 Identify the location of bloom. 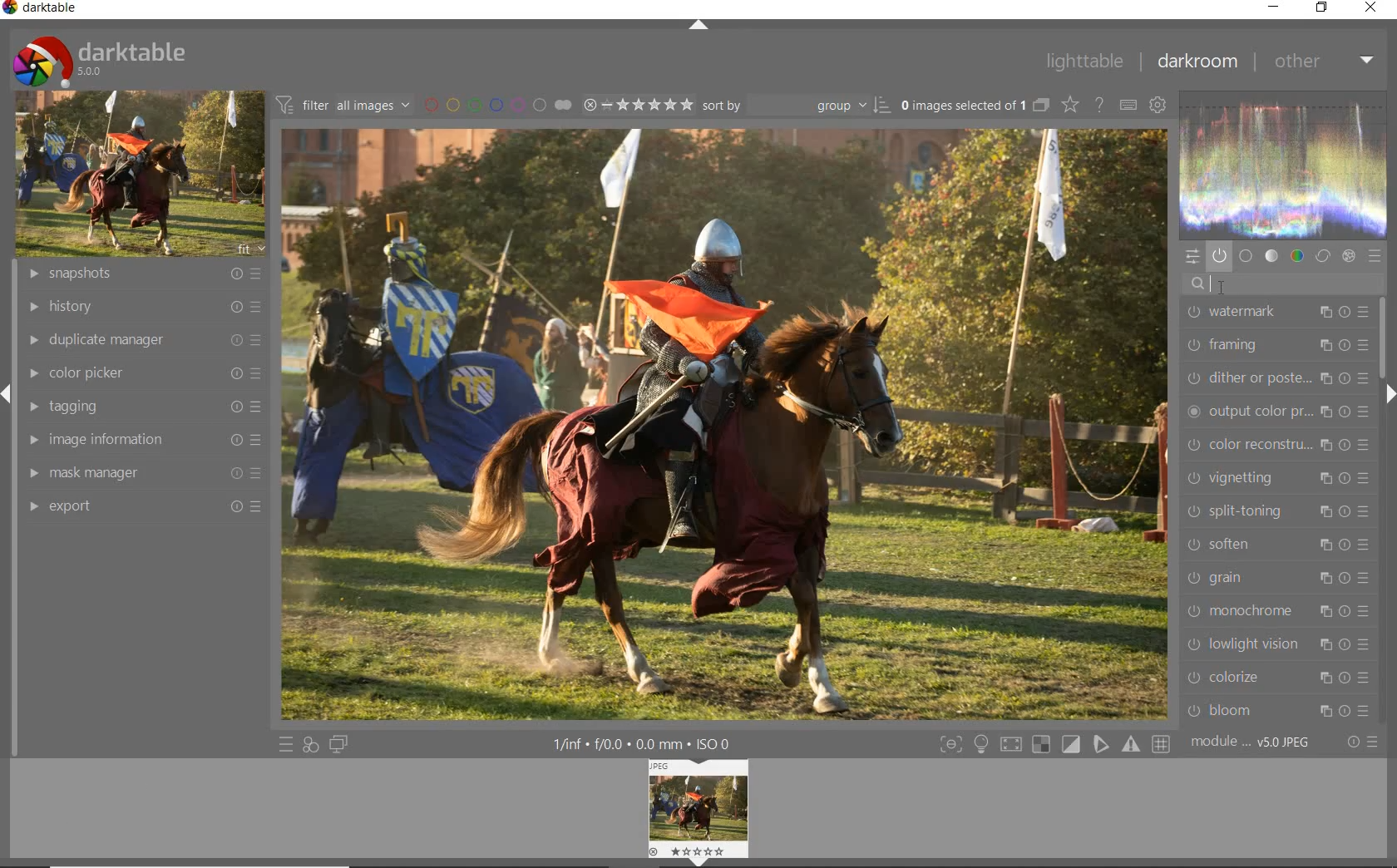
(1281, 711).